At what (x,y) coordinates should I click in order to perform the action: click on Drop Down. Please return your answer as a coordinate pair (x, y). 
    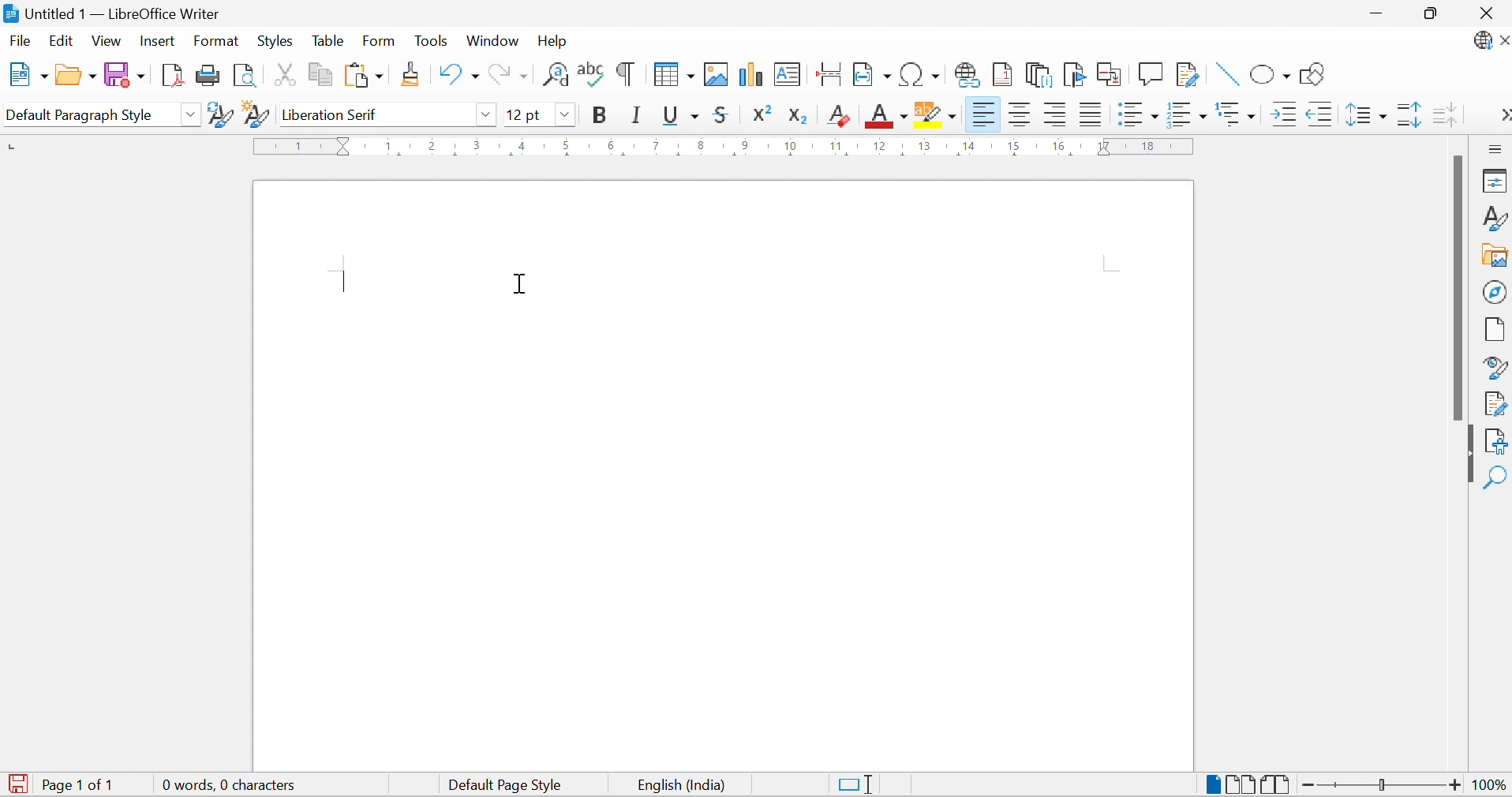
    Looking at the image, I should click on (192, 114).